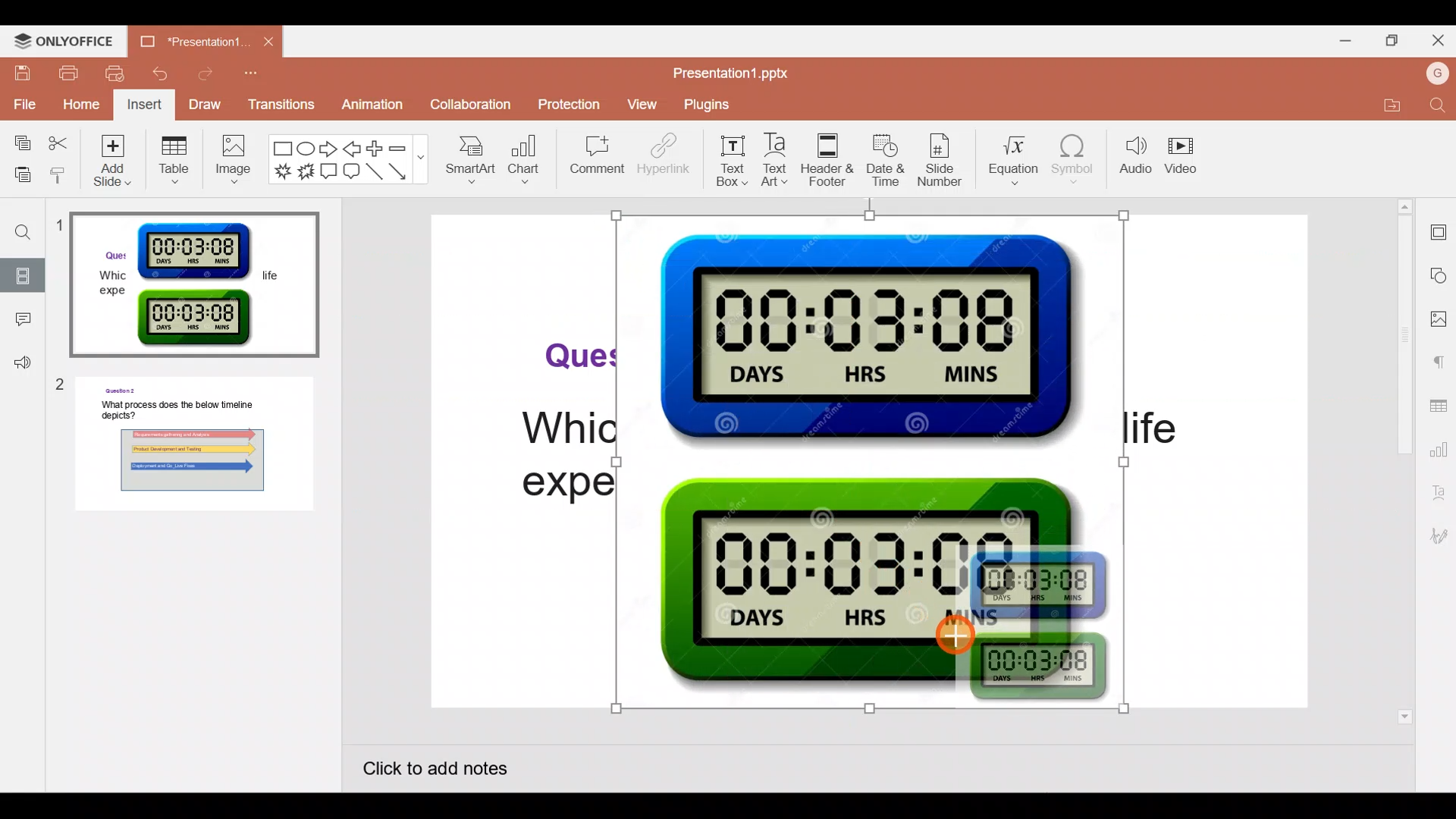 The height and width of the screenshot is (819, 1456). I want to click on Ellipse, so click(306, 148).